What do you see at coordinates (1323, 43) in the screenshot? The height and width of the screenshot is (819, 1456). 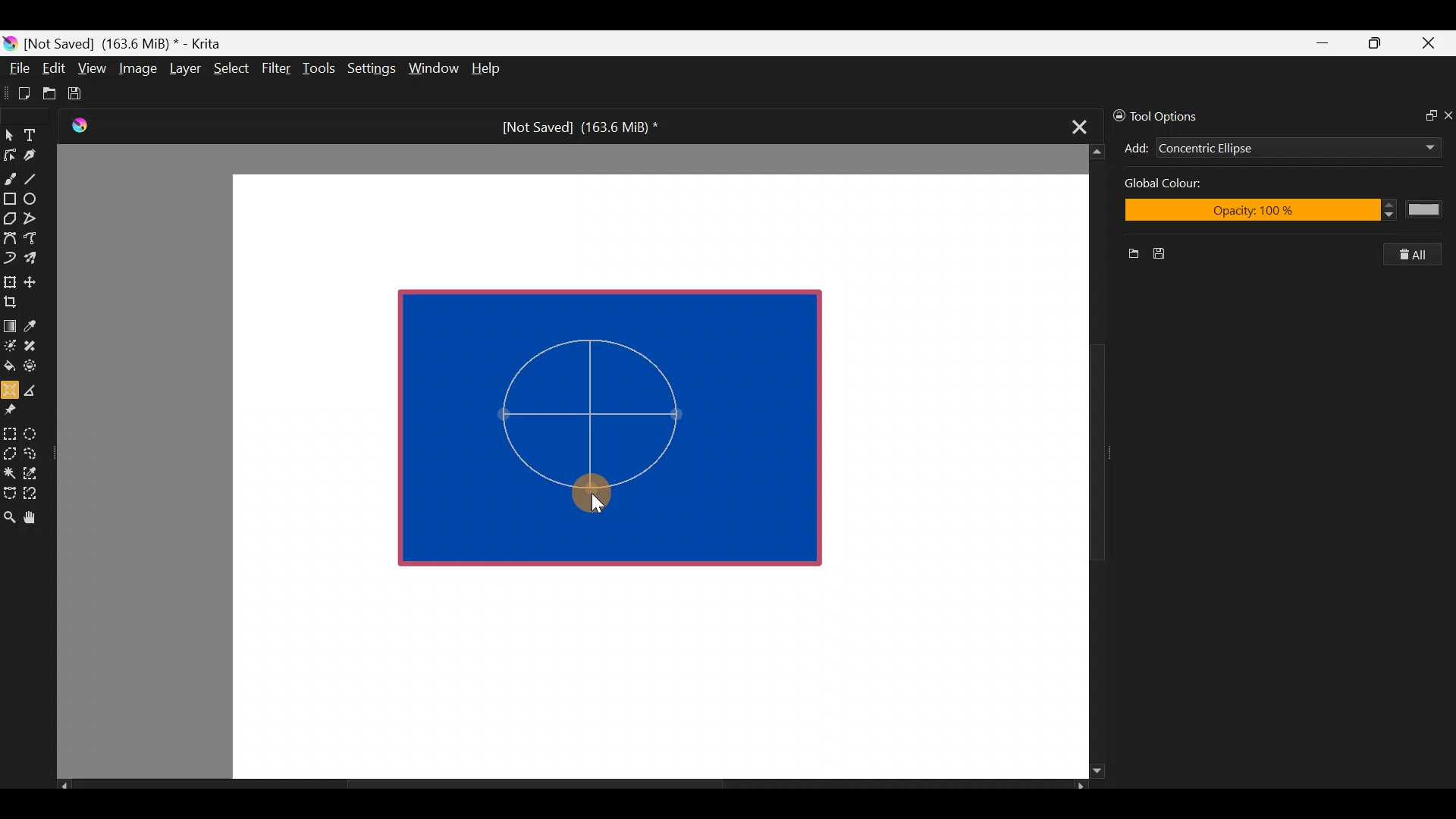 I see `Minimize` at bounding box center [1323, 43].